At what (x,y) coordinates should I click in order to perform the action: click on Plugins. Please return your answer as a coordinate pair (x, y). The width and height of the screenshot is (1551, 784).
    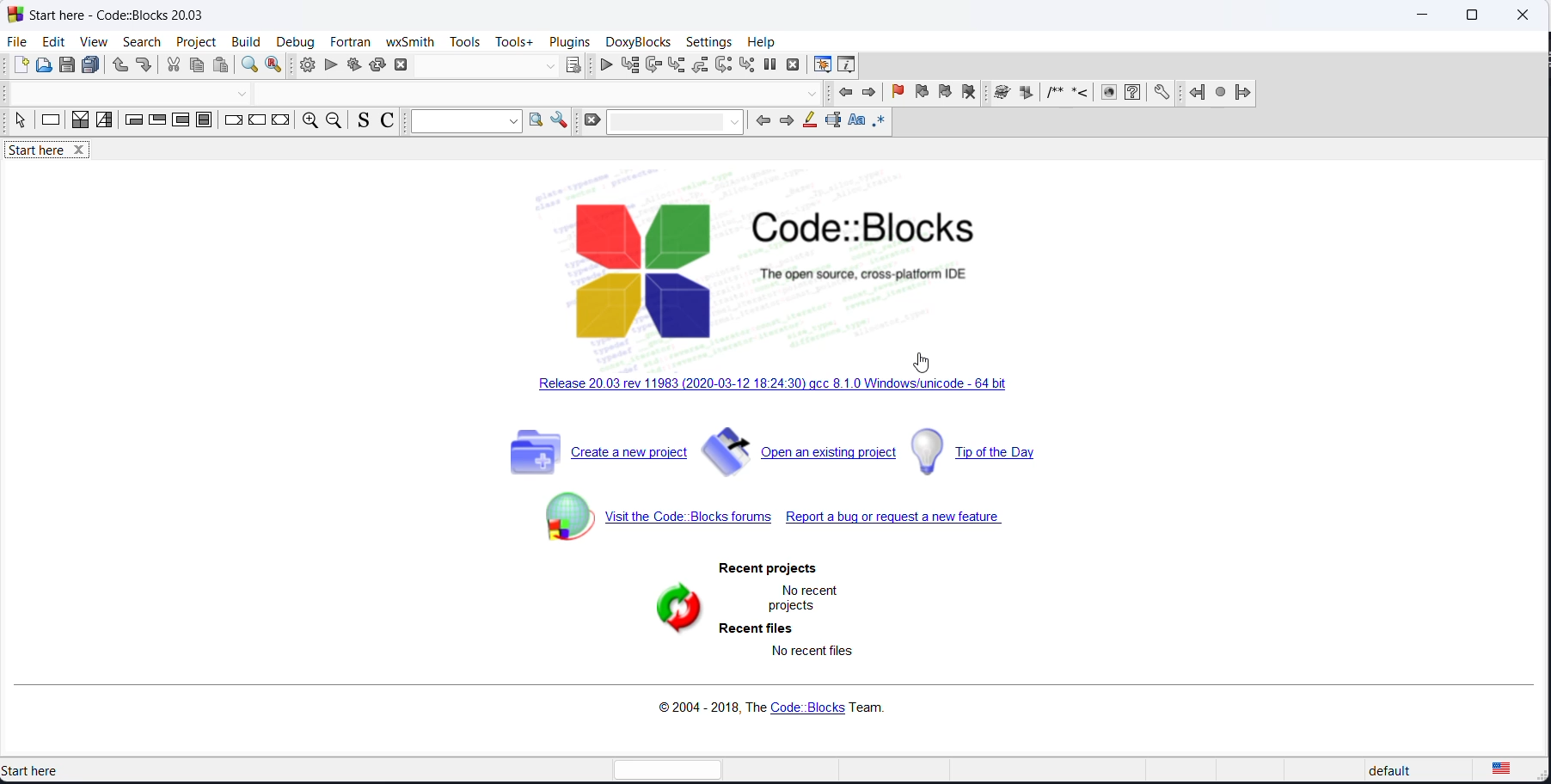
    Looking at the image, I should click on (571, 40).